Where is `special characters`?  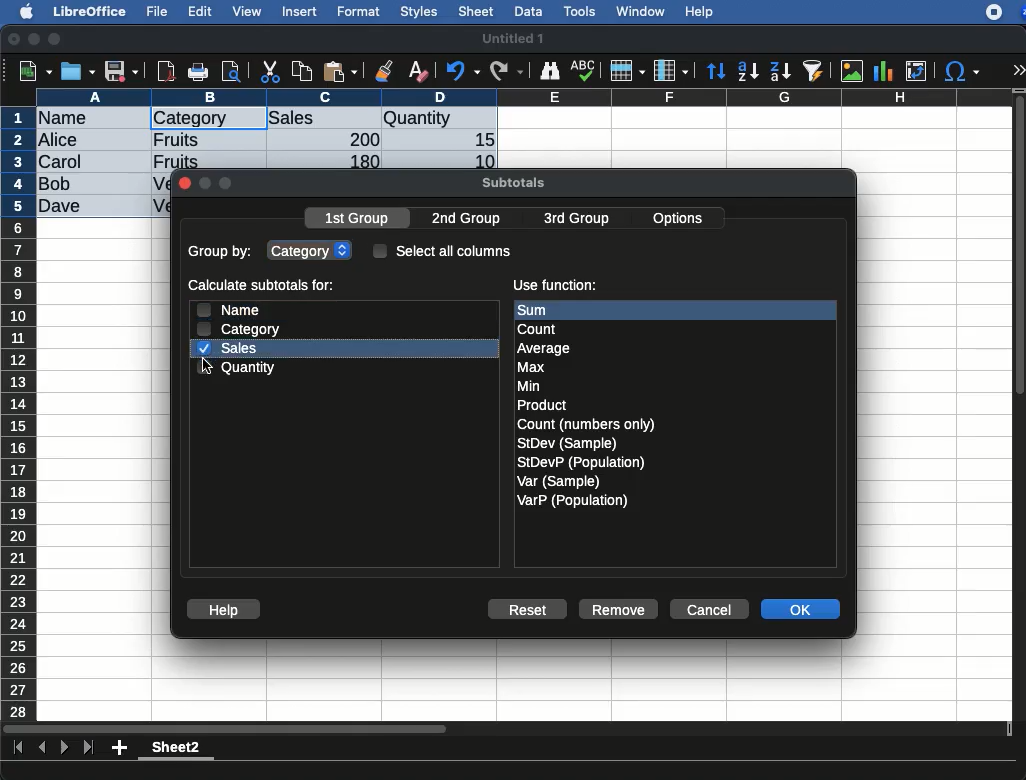 special characters is located at coordinates (960, 71).